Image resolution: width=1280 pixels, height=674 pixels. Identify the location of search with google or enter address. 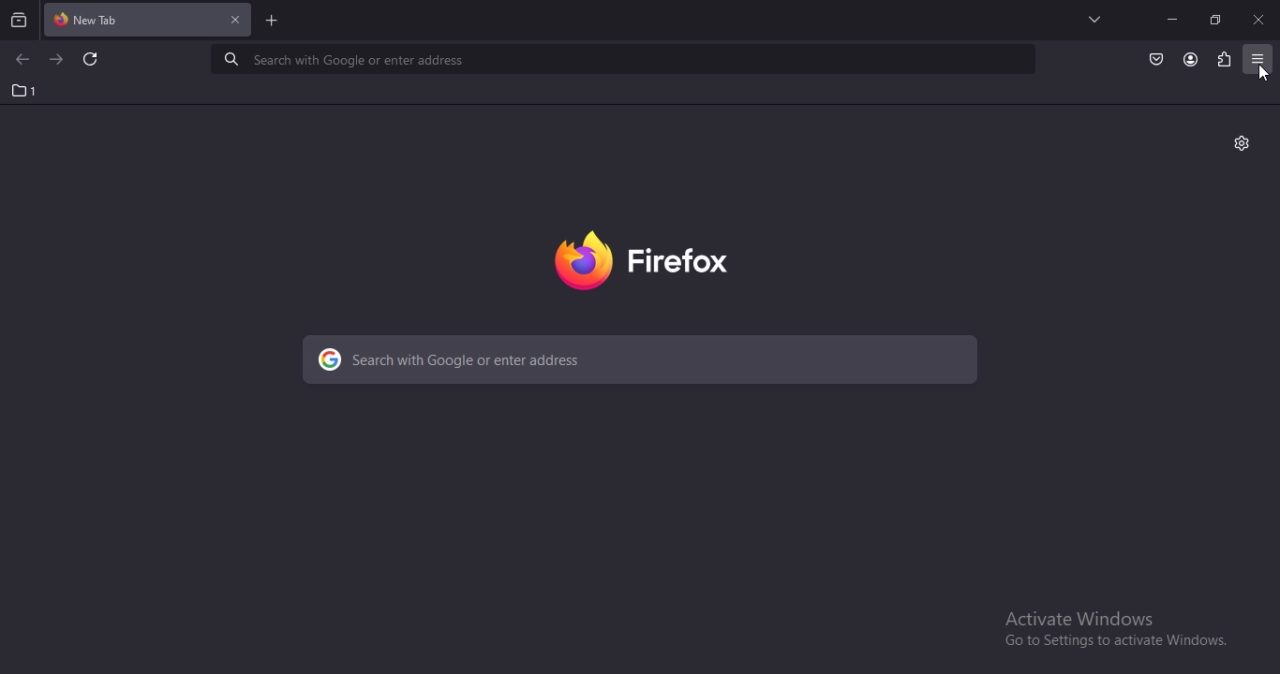
(641, 361).